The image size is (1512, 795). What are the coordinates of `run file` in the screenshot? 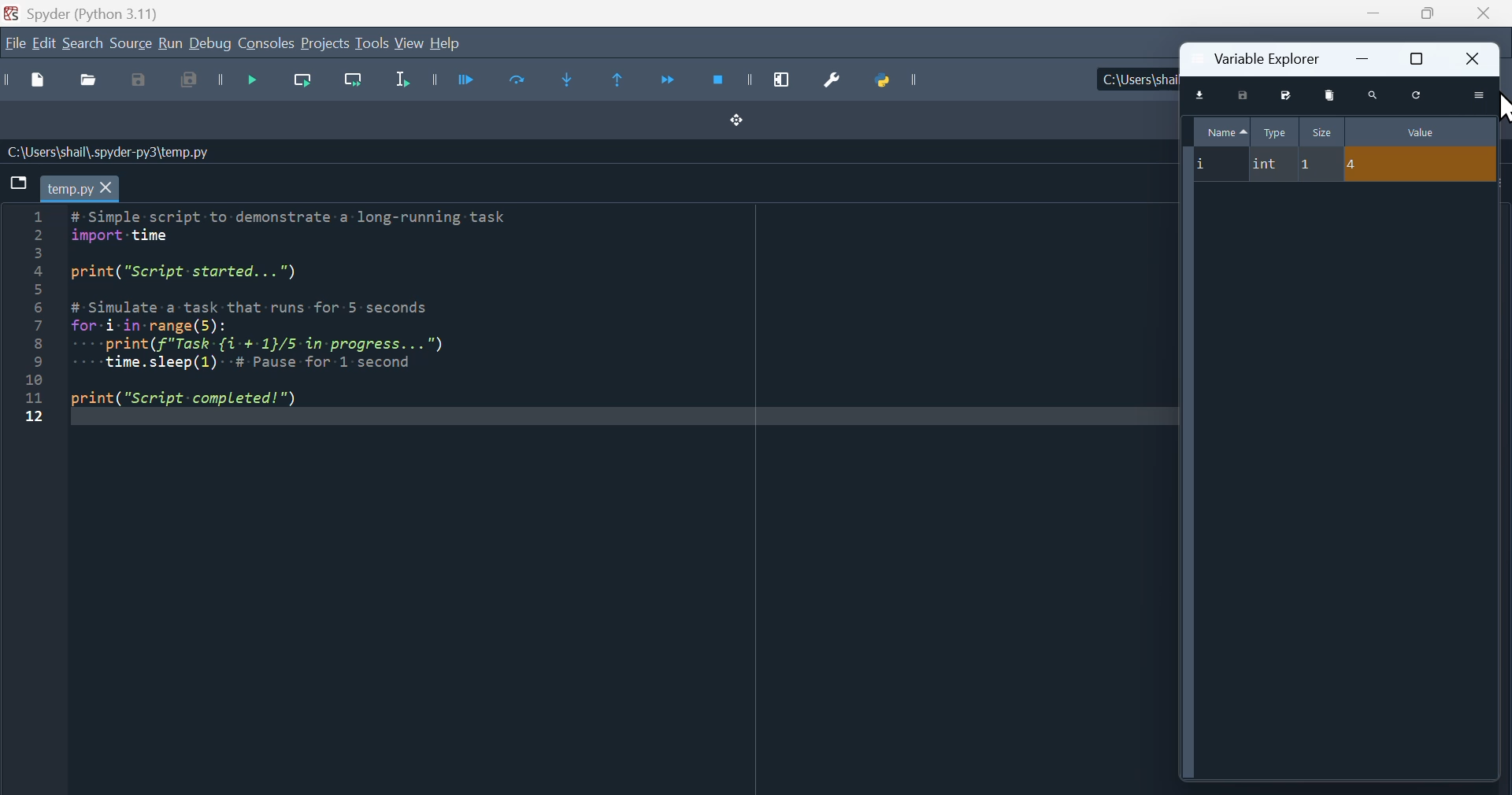 It's located at (450, 79).